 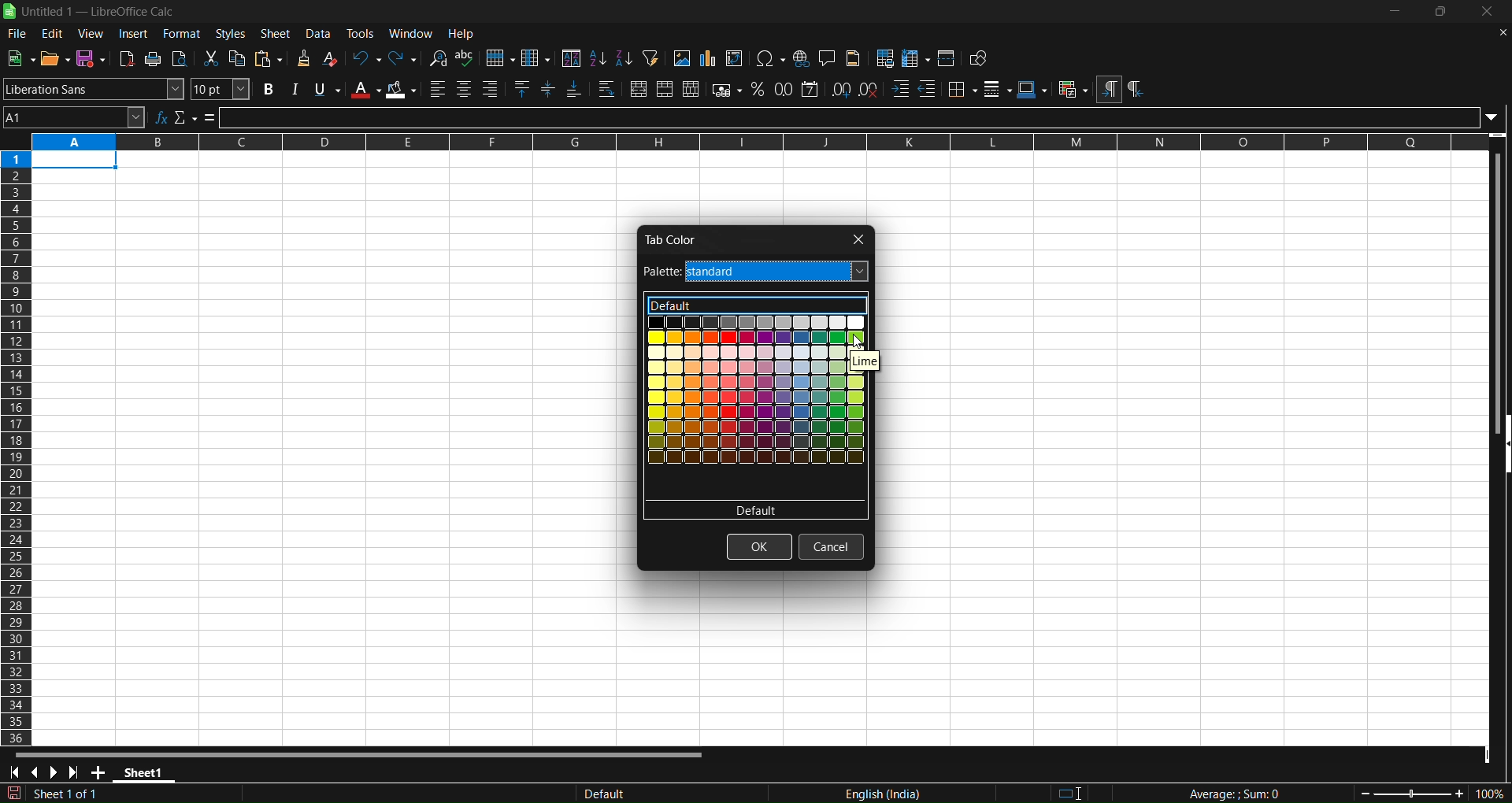 What do you see at coordinates (680, 58) in the screenshot?
I see `insert image` at bounding box center [680, 58].